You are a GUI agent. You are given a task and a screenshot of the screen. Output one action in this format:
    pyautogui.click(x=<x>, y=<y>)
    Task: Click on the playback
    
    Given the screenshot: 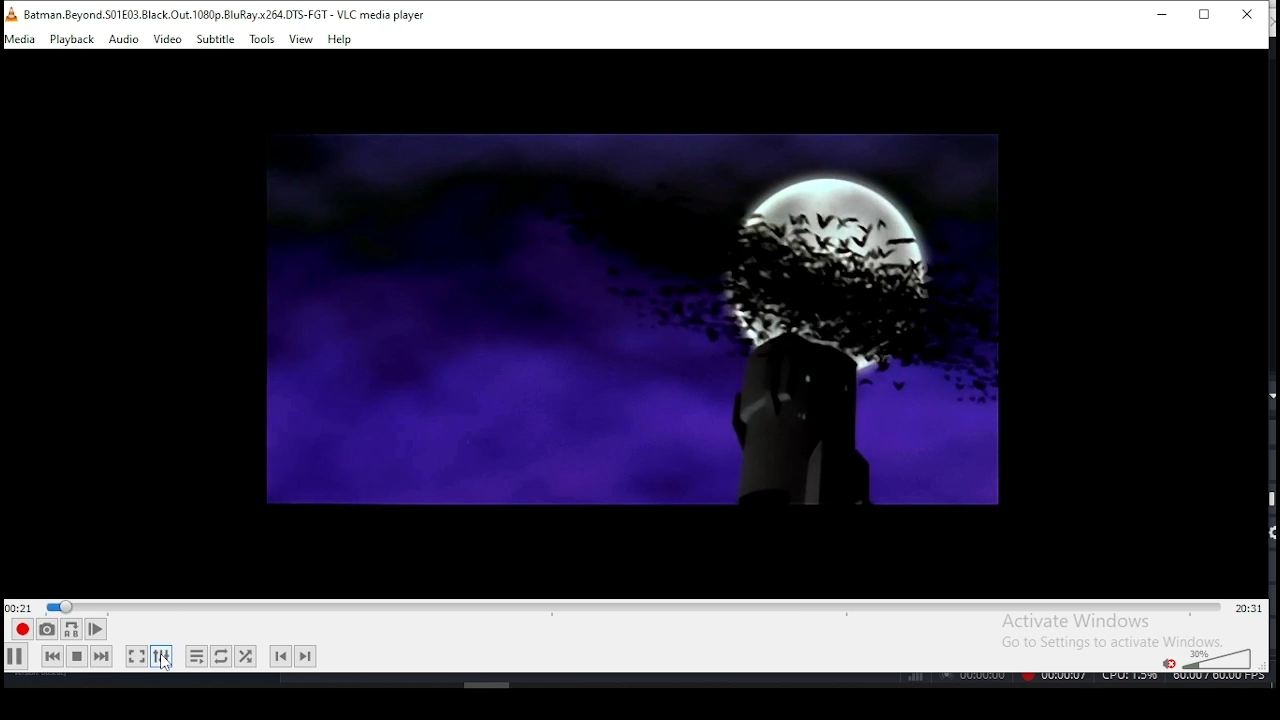 What is the action you would take?
    pyautogui.click(x=72, y=40)
    